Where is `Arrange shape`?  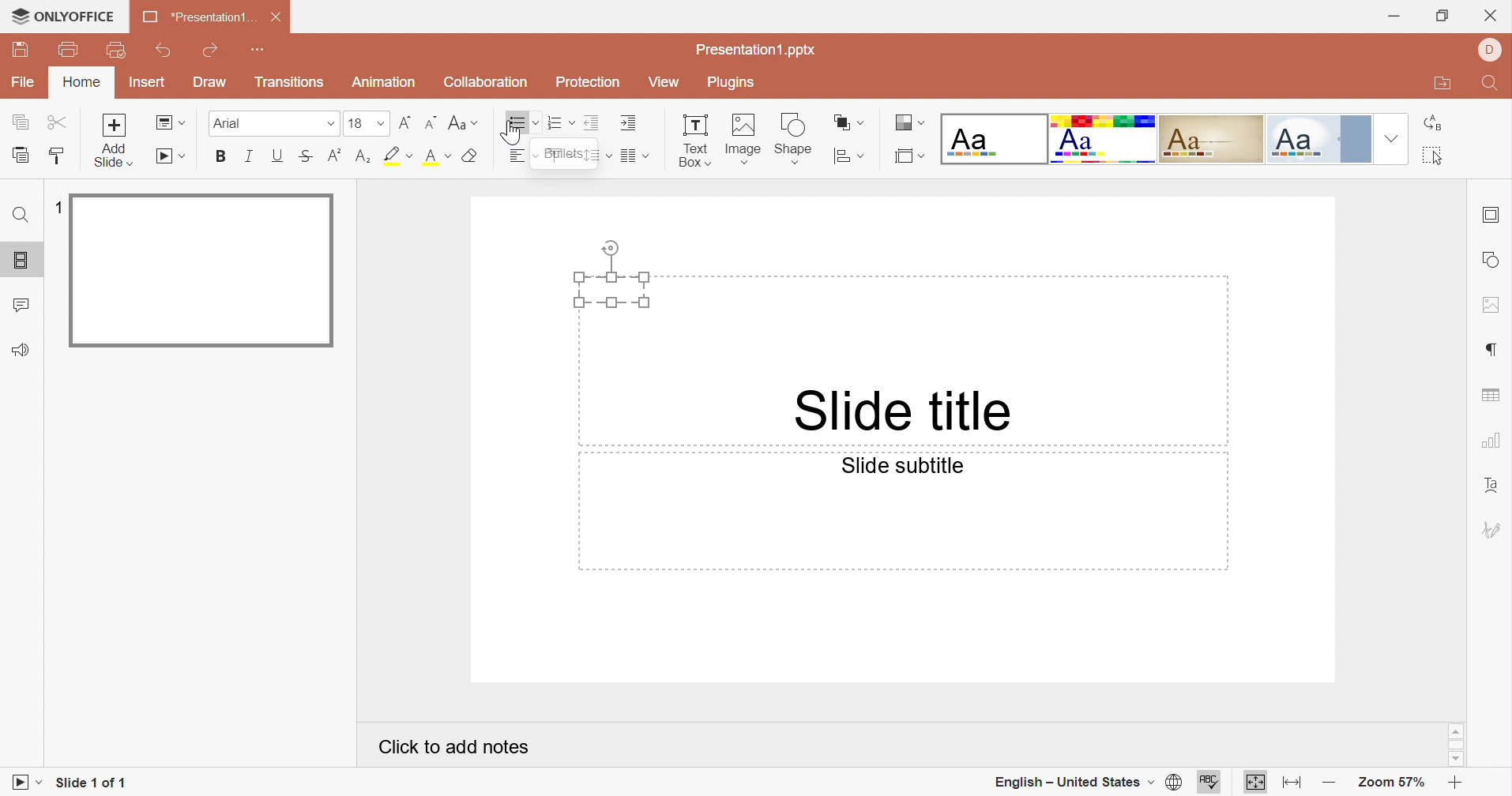 Arrange shape is located at coordinates (849, 122).